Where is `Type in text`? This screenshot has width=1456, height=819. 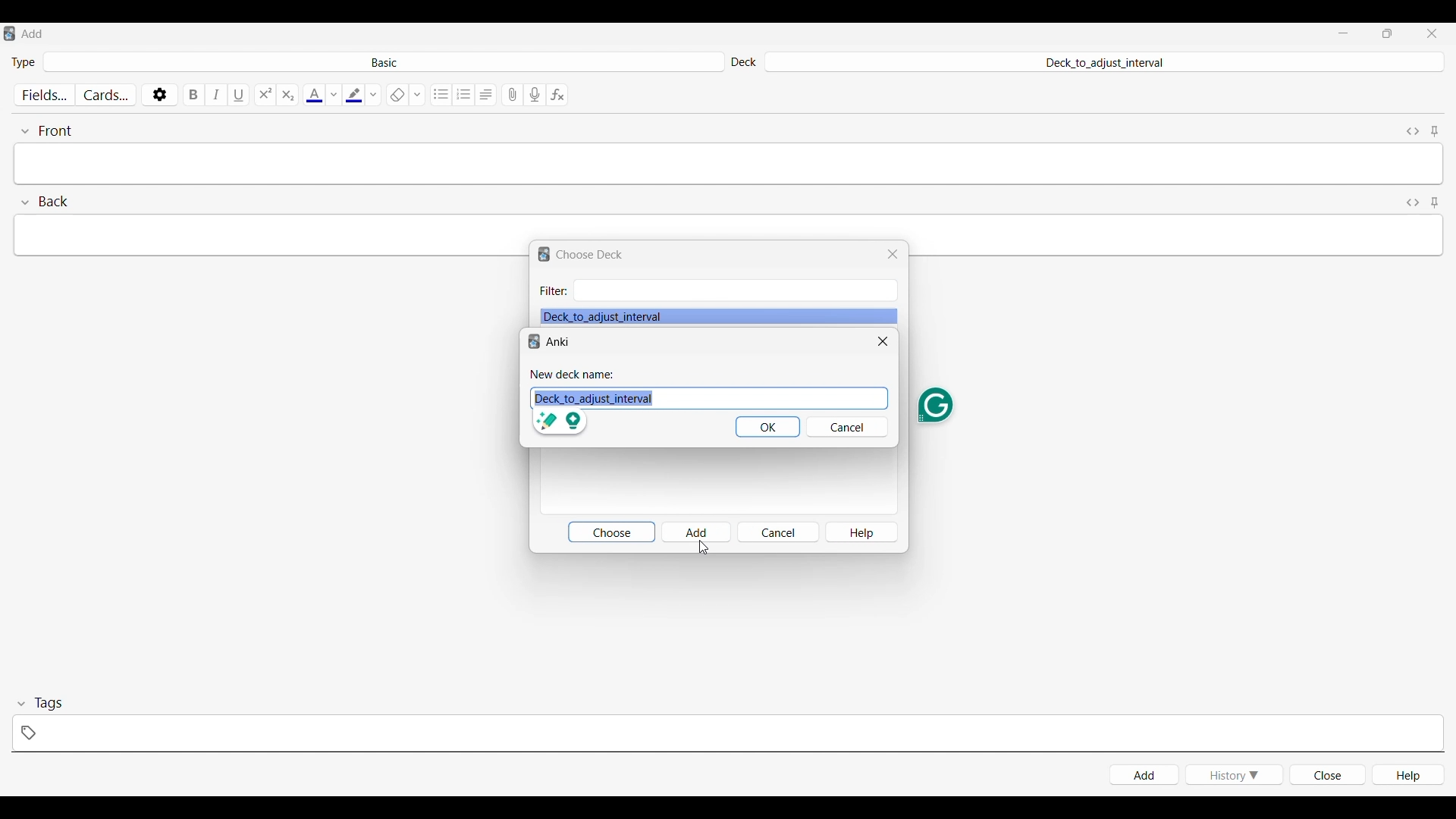
Type in text is located at coordinates (726, 226).